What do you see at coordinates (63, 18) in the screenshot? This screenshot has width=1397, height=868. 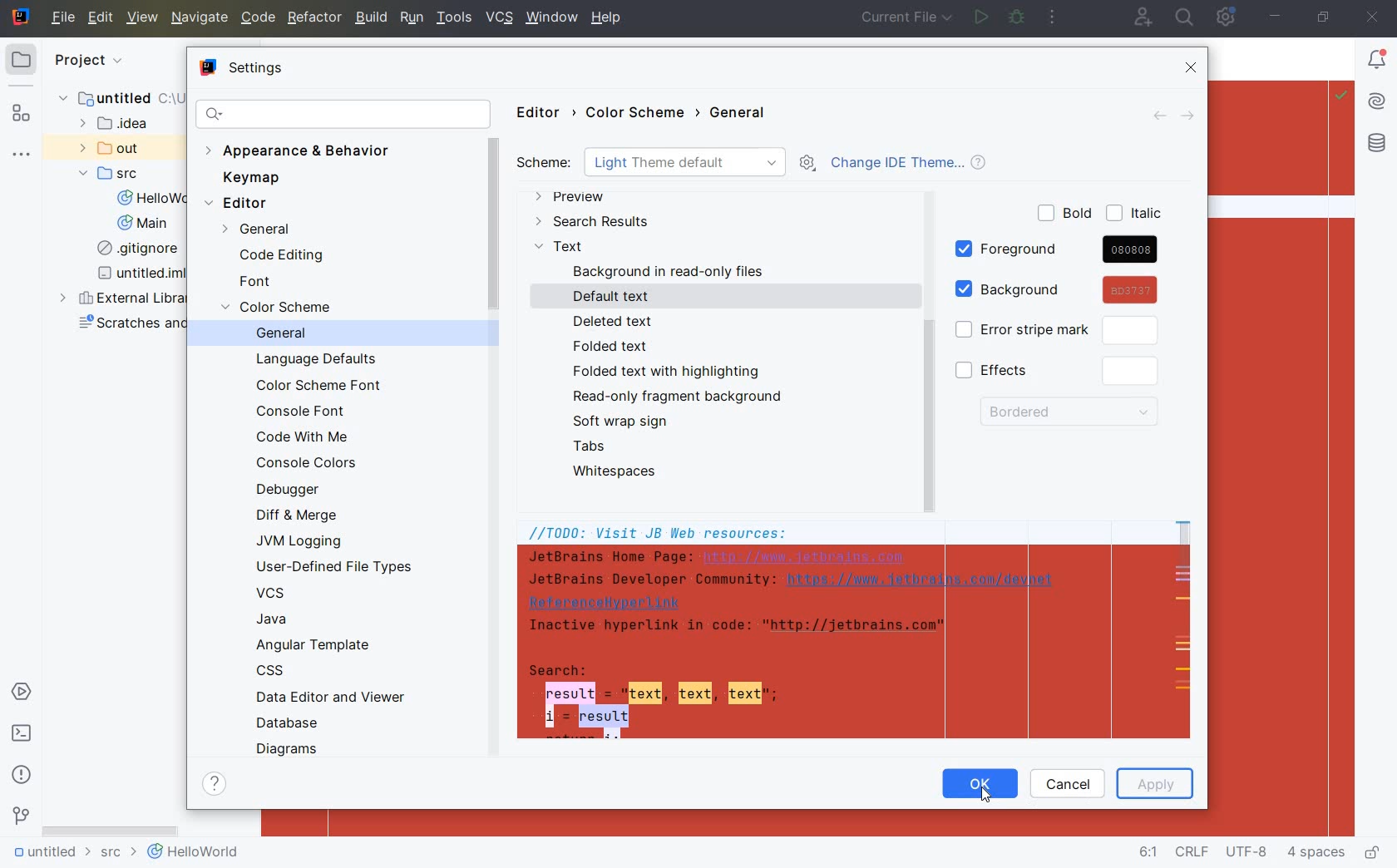 I see `file` at bounding box center [63, 18].